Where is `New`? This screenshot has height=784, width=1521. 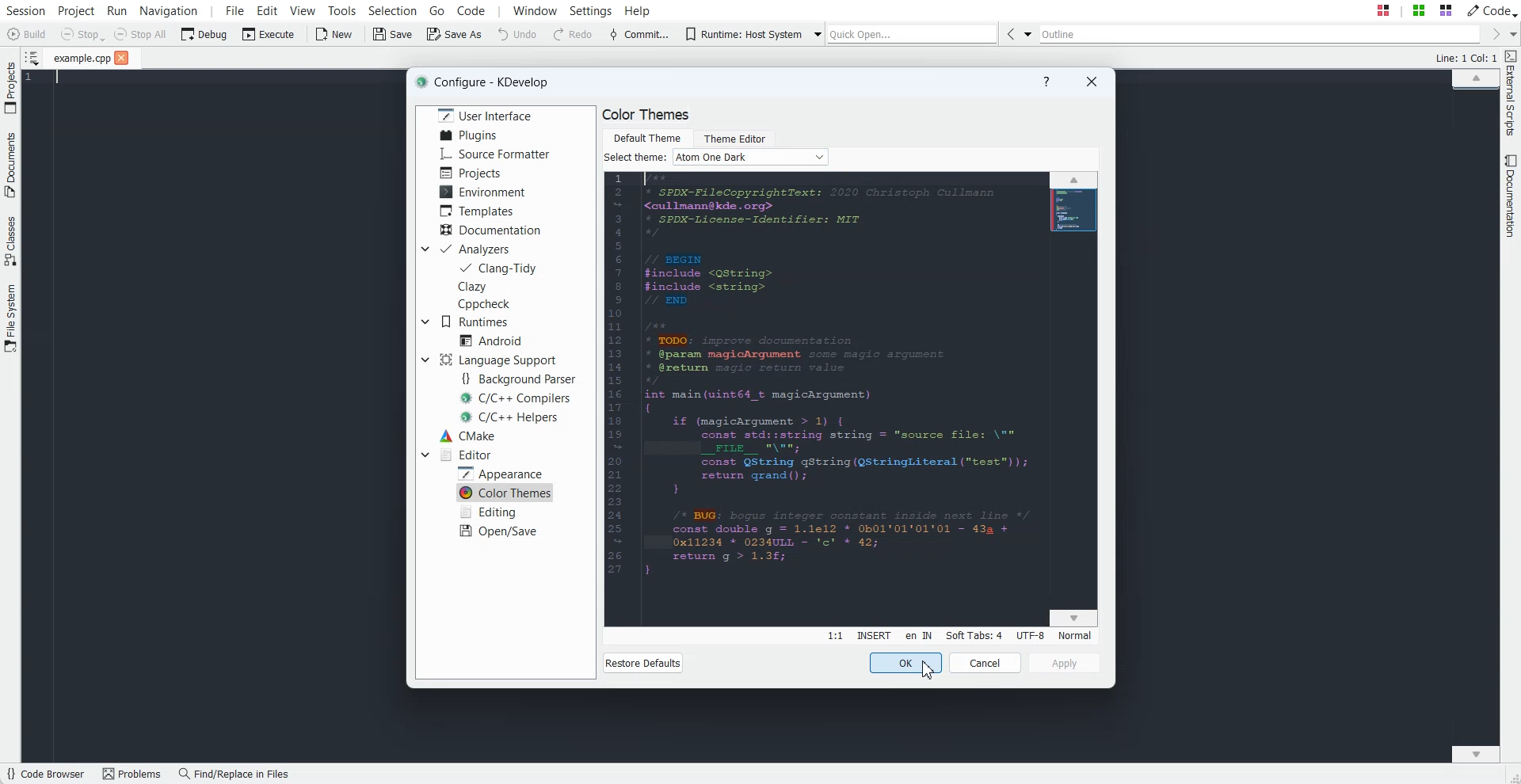
New is located at coordinates (336, 35).